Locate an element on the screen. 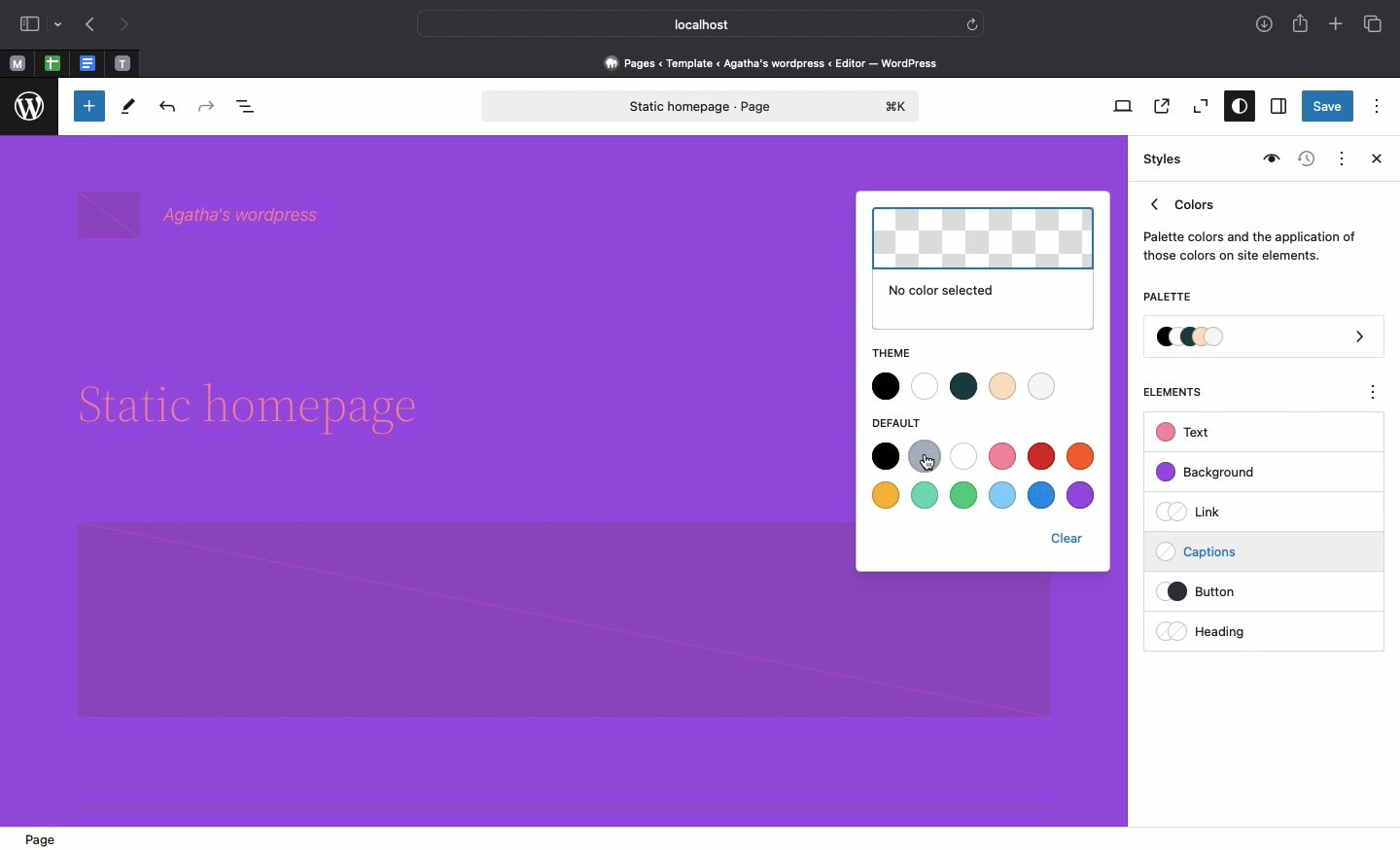 The image size is (1400, 850). Document overview is located at coordinates (250, 108).